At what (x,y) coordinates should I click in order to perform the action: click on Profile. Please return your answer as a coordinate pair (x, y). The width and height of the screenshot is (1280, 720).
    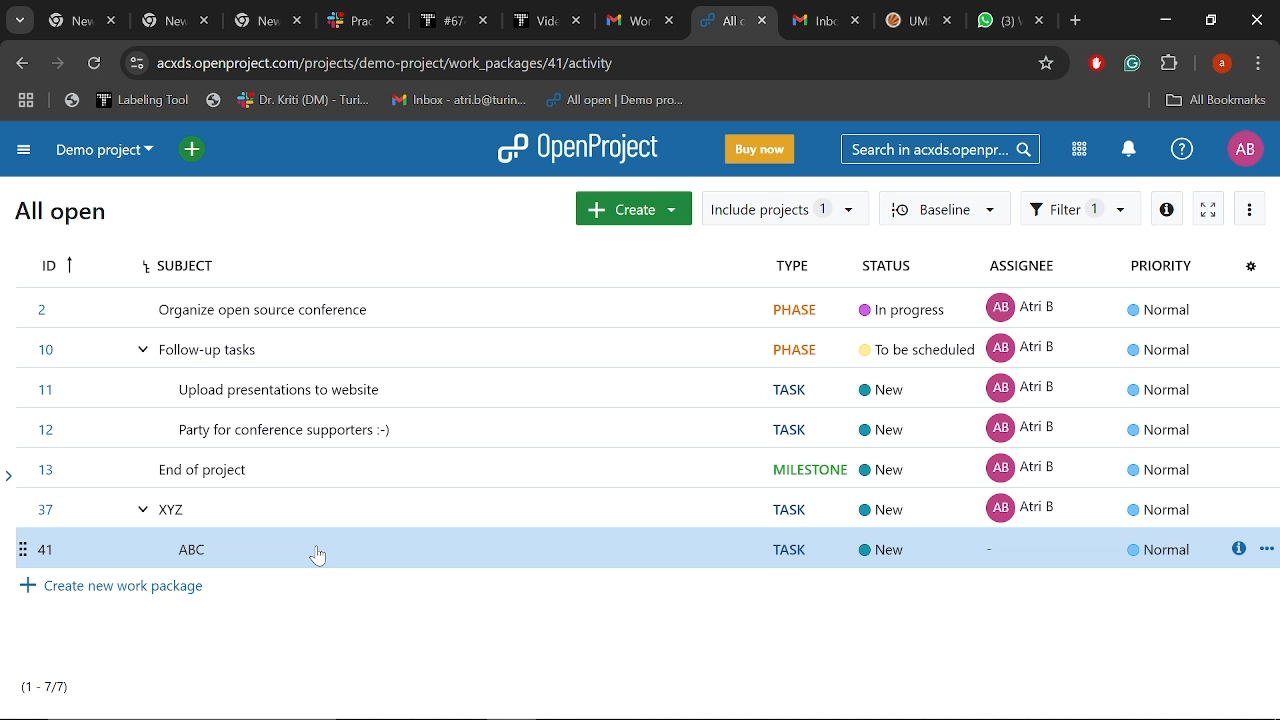
    Looking at the image, I should click on (1244, 148).